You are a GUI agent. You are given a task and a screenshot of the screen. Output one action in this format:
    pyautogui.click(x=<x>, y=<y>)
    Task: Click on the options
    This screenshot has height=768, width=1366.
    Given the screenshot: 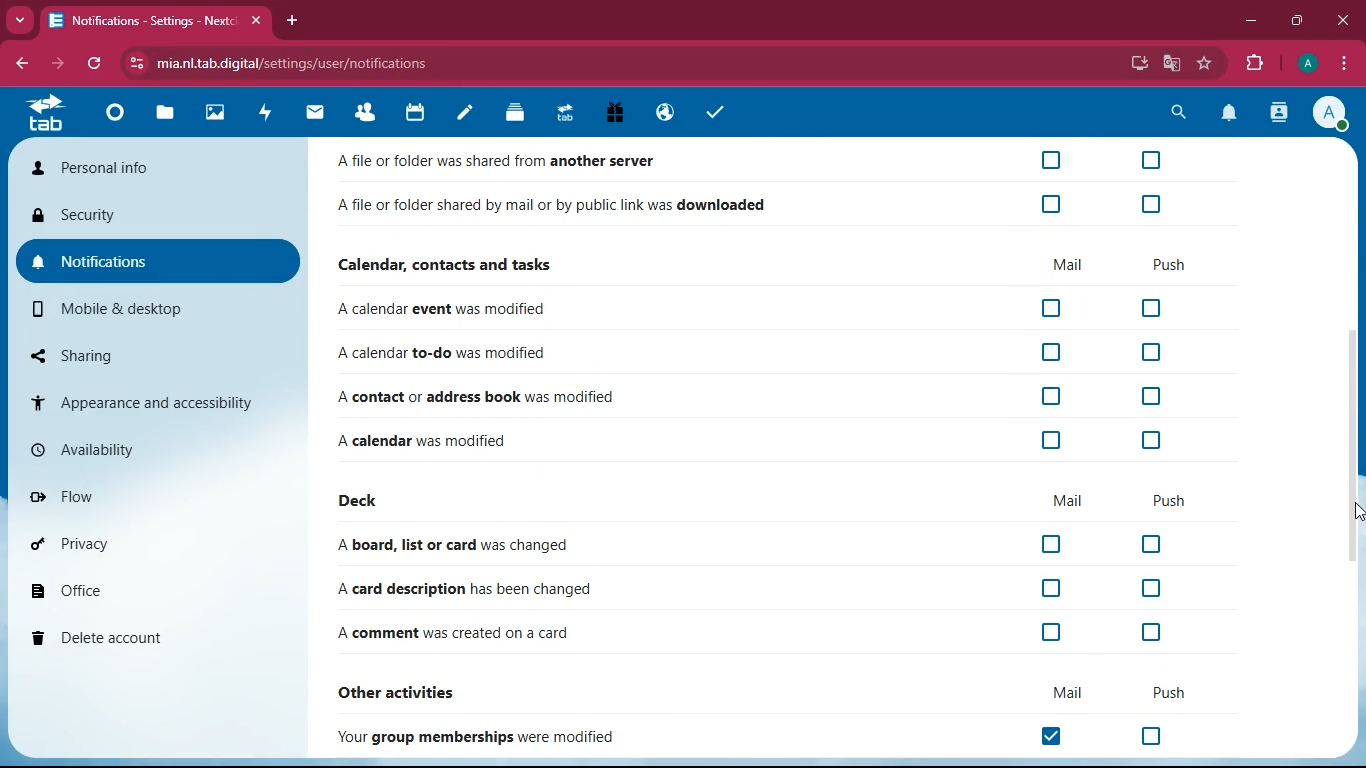 What is the action you would take?
    pyautogui.click(x=1344, y=63)
    